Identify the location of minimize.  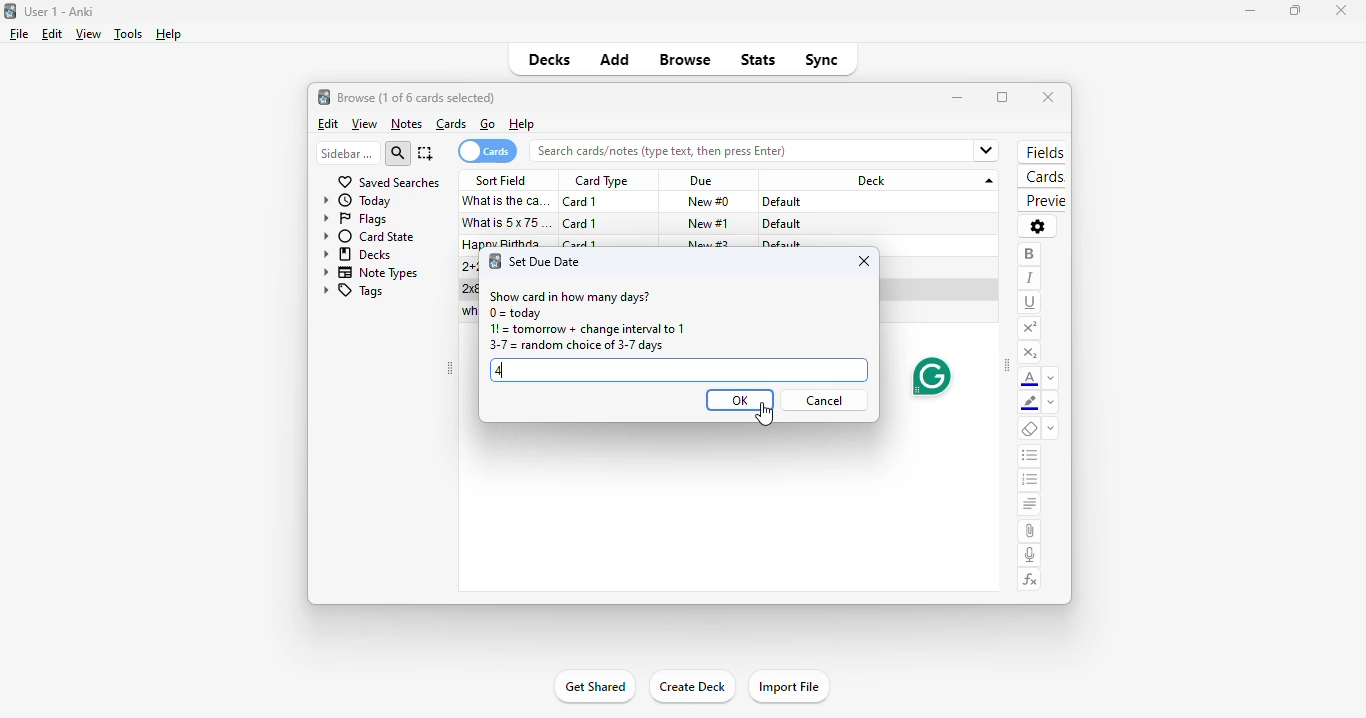
(958, 97).